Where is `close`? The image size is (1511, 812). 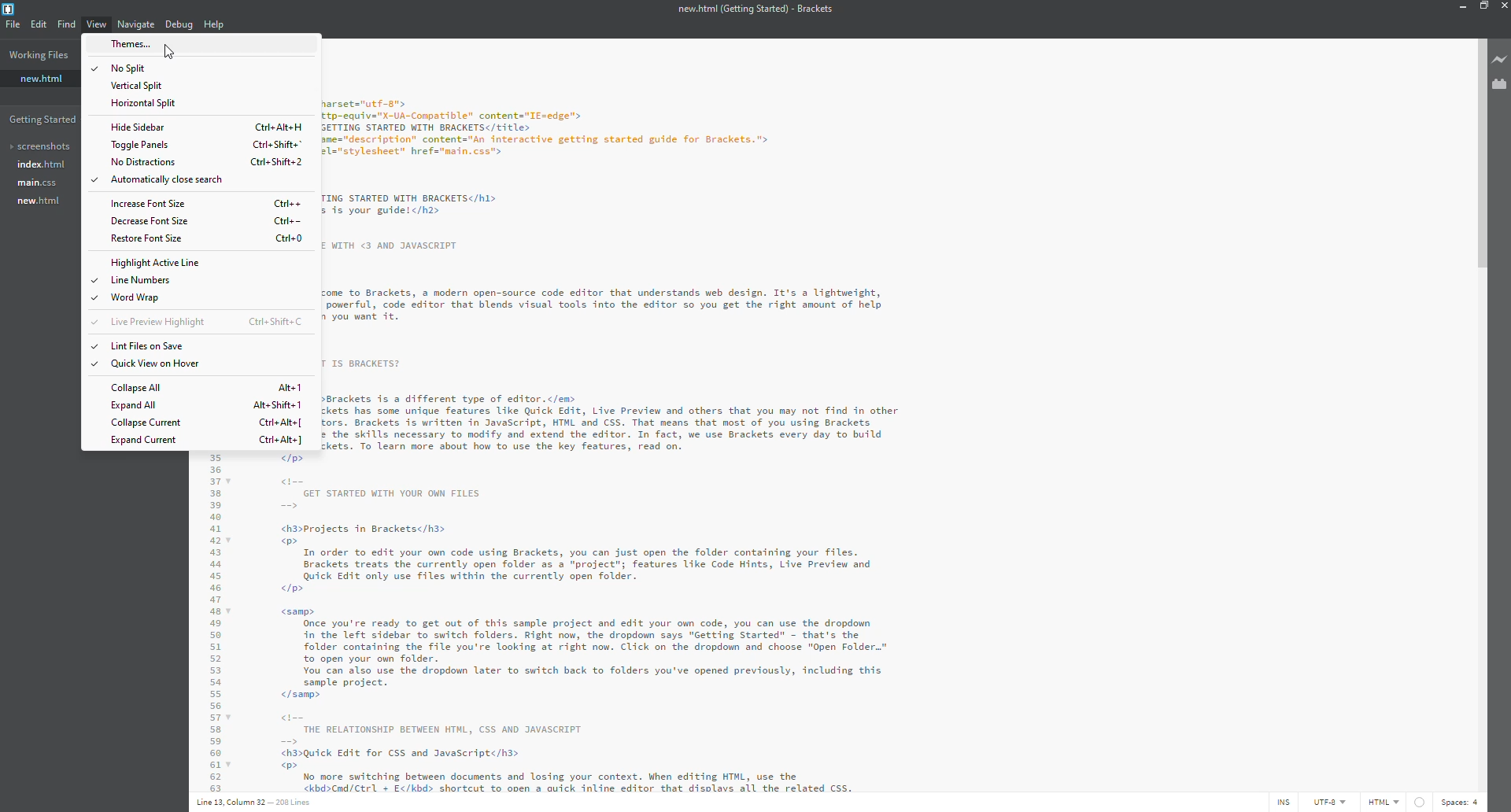
close is located at coordinates (1503, 7).